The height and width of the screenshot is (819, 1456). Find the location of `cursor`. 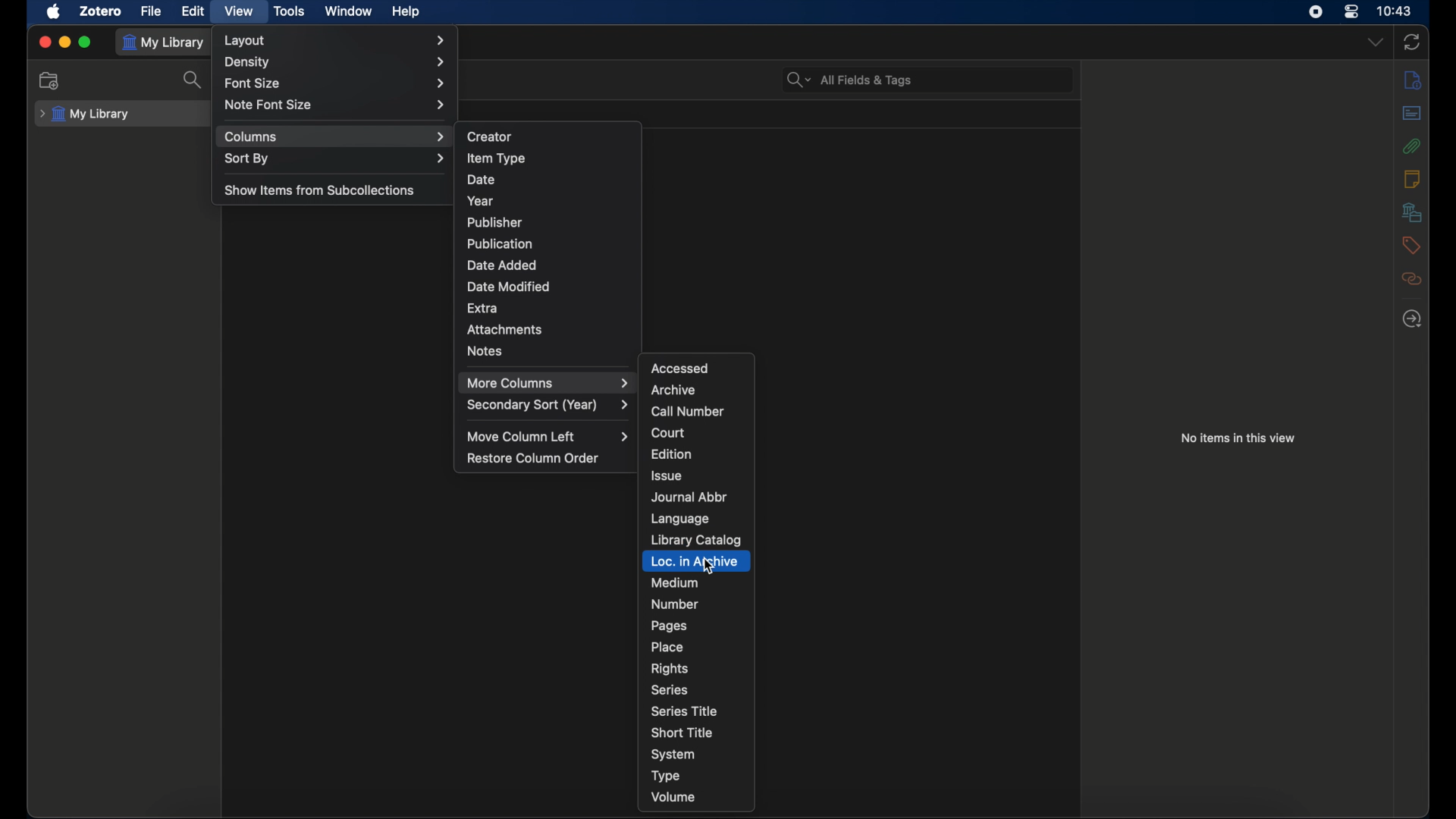

cursor is located at coordinates (710, 568).